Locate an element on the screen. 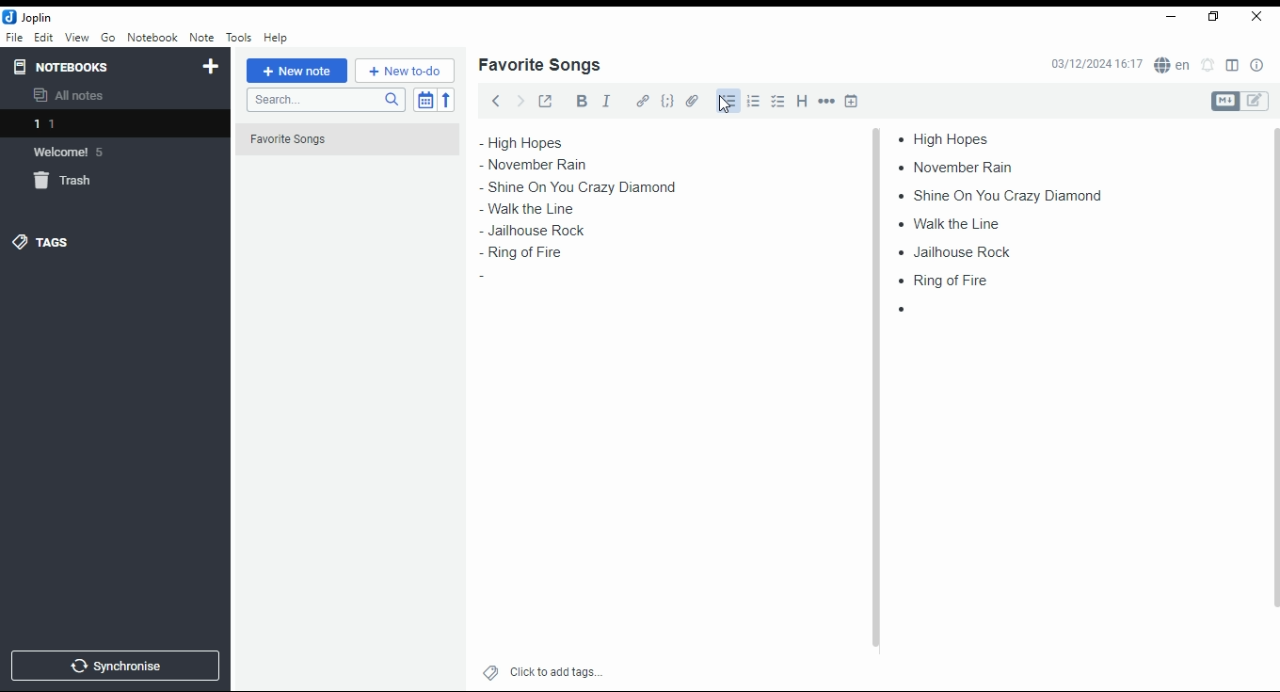 This screenshot has width=1280, height=692. tools is located at coordinates (240, 38).